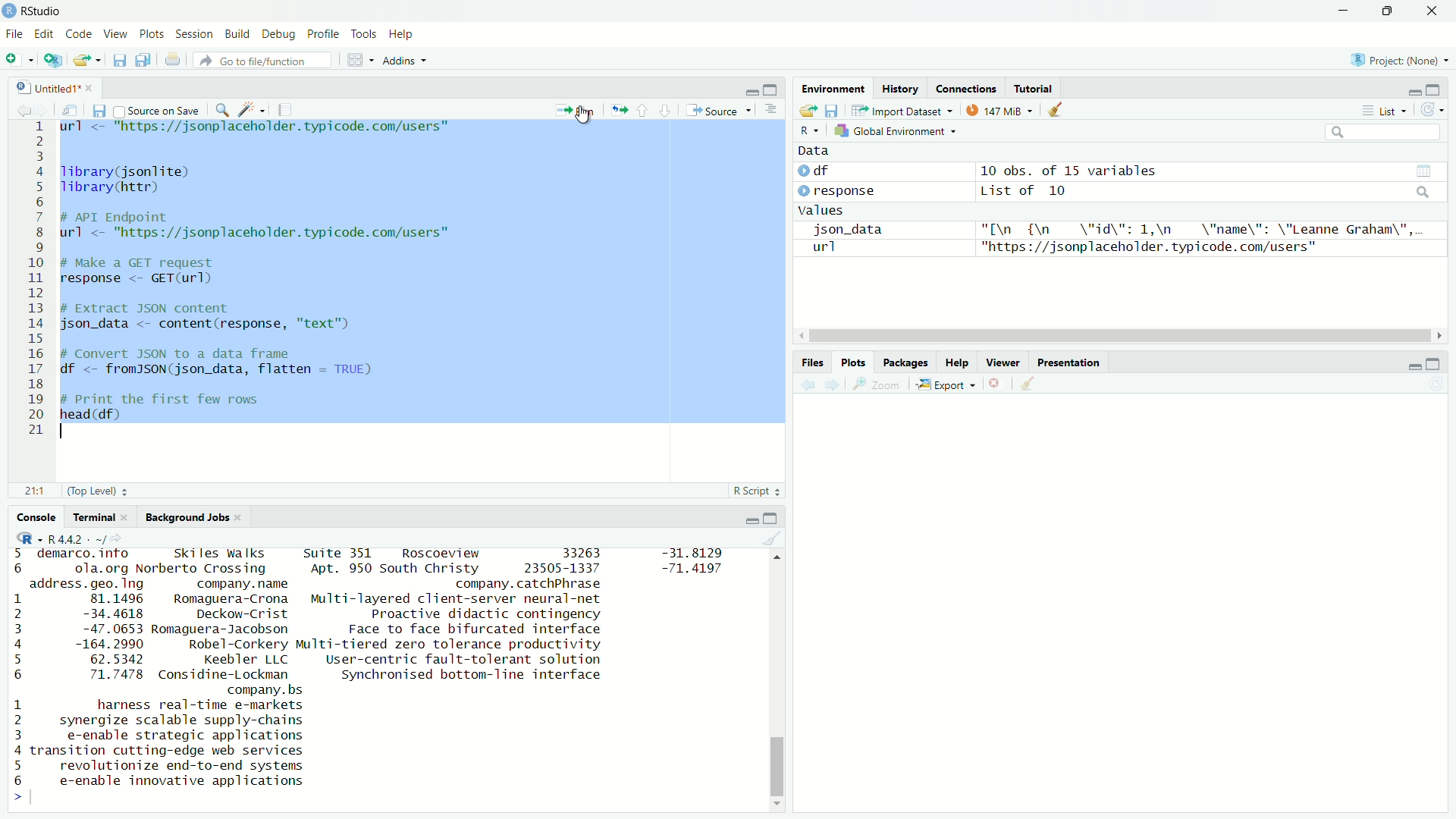  I want to click on Go to next section, so click(664, 111).